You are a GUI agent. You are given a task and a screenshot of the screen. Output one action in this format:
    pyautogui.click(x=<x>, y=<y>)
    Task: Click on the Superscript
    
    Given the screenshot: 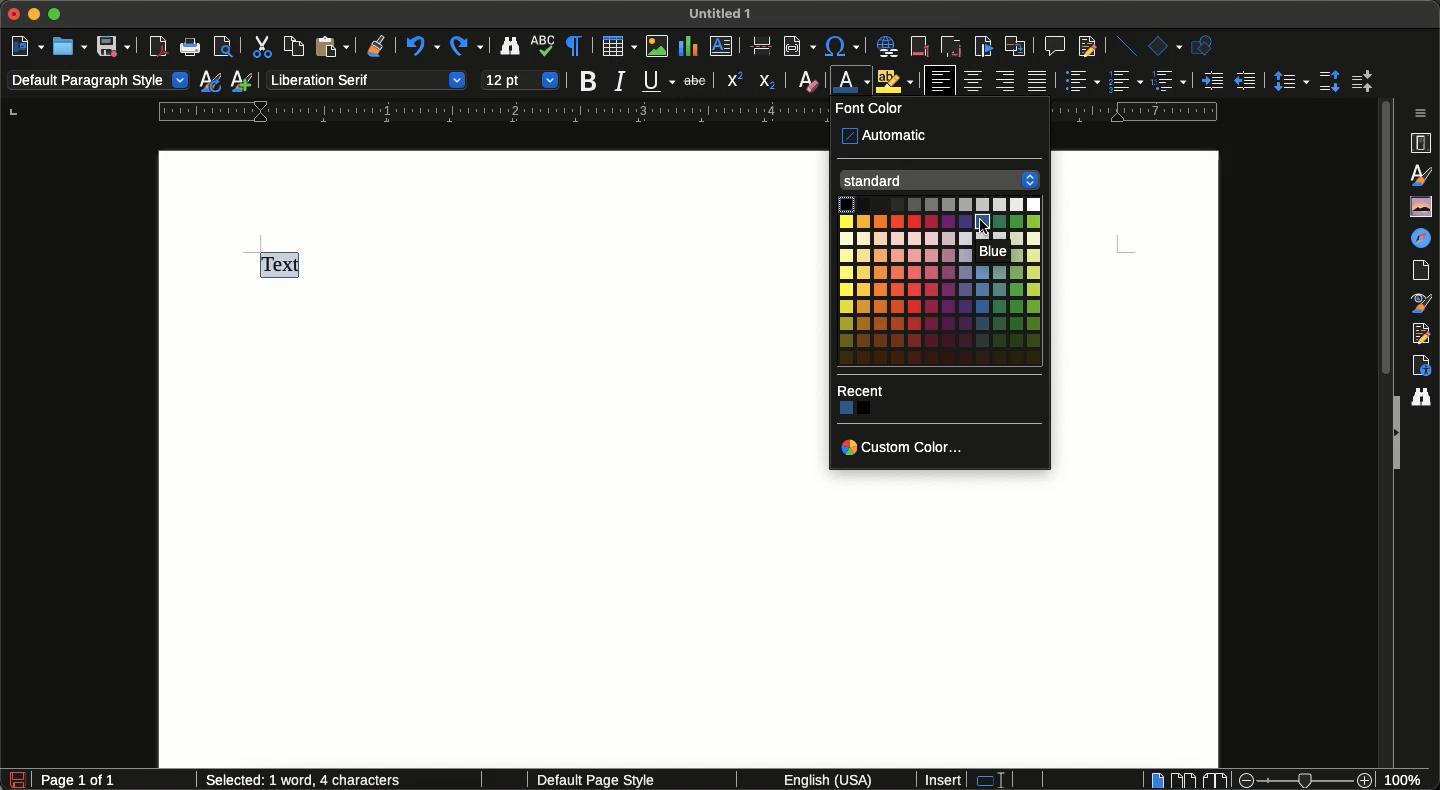 What is the action you would take?
    pyautogui.click(x=733, y=81)
    